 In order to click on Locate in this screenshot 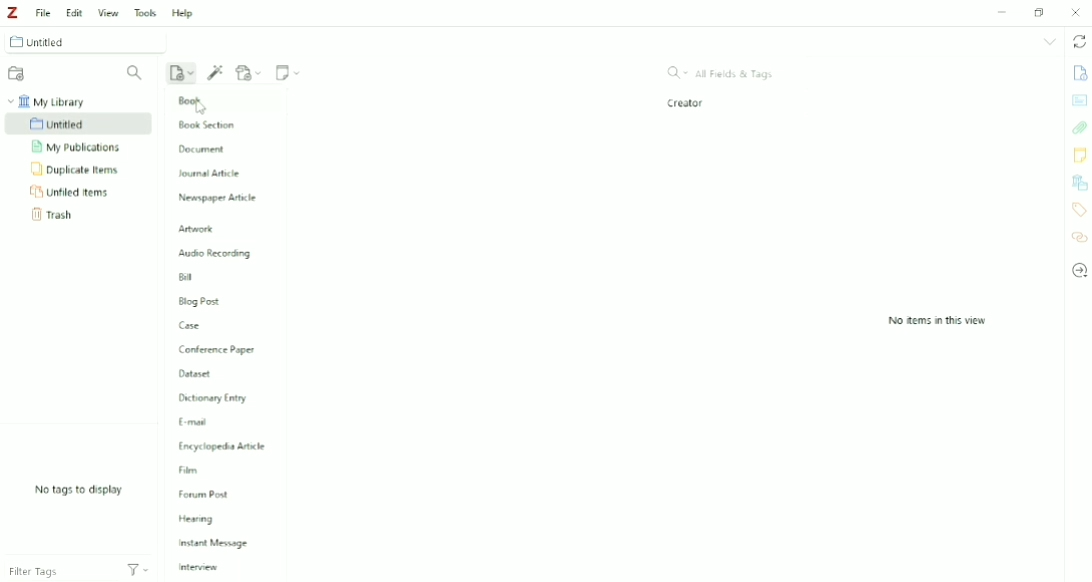, I will do `click(1079, 270)`.